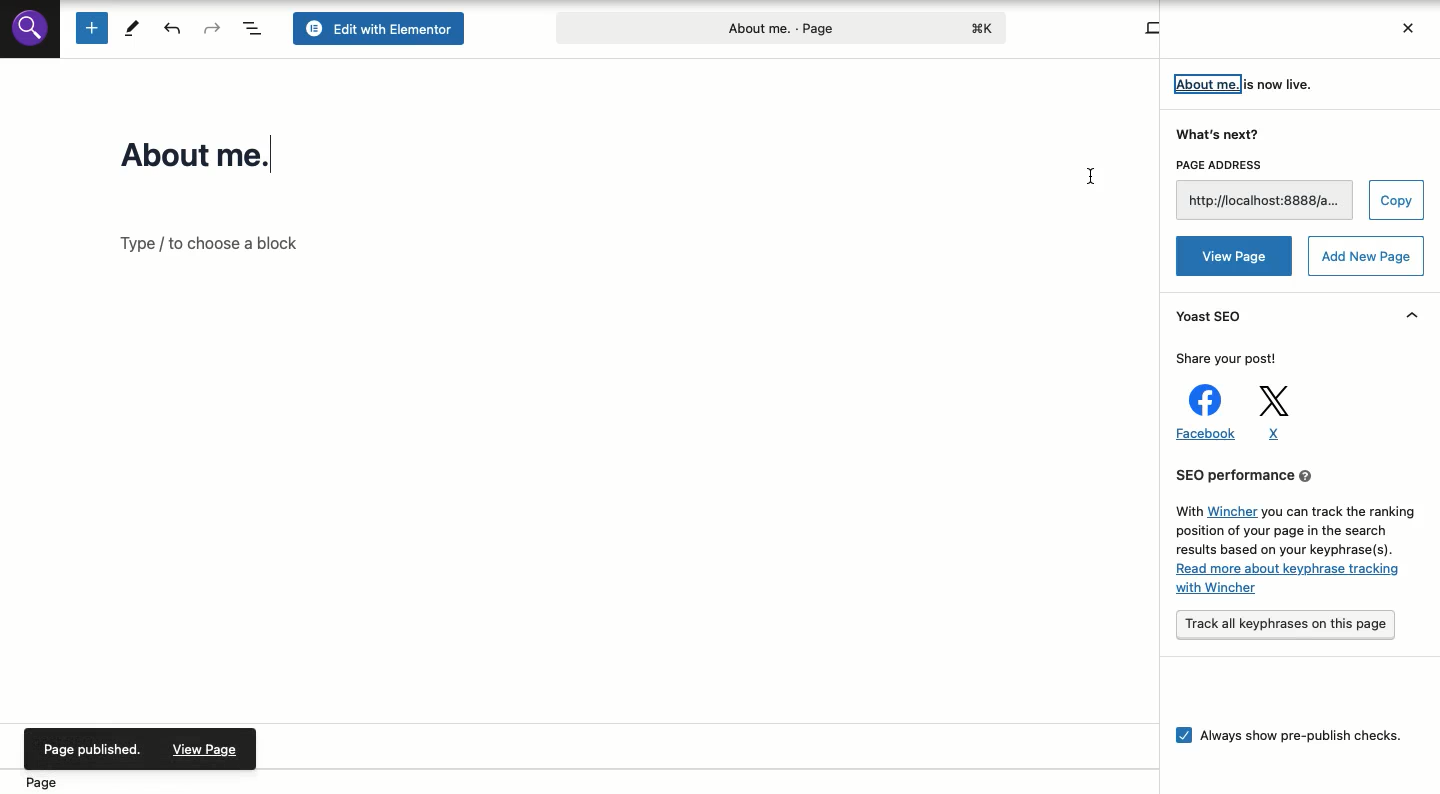 The height and width of the screenshot is (794, 1440). I want to click on Copy, so click(1398, 199).